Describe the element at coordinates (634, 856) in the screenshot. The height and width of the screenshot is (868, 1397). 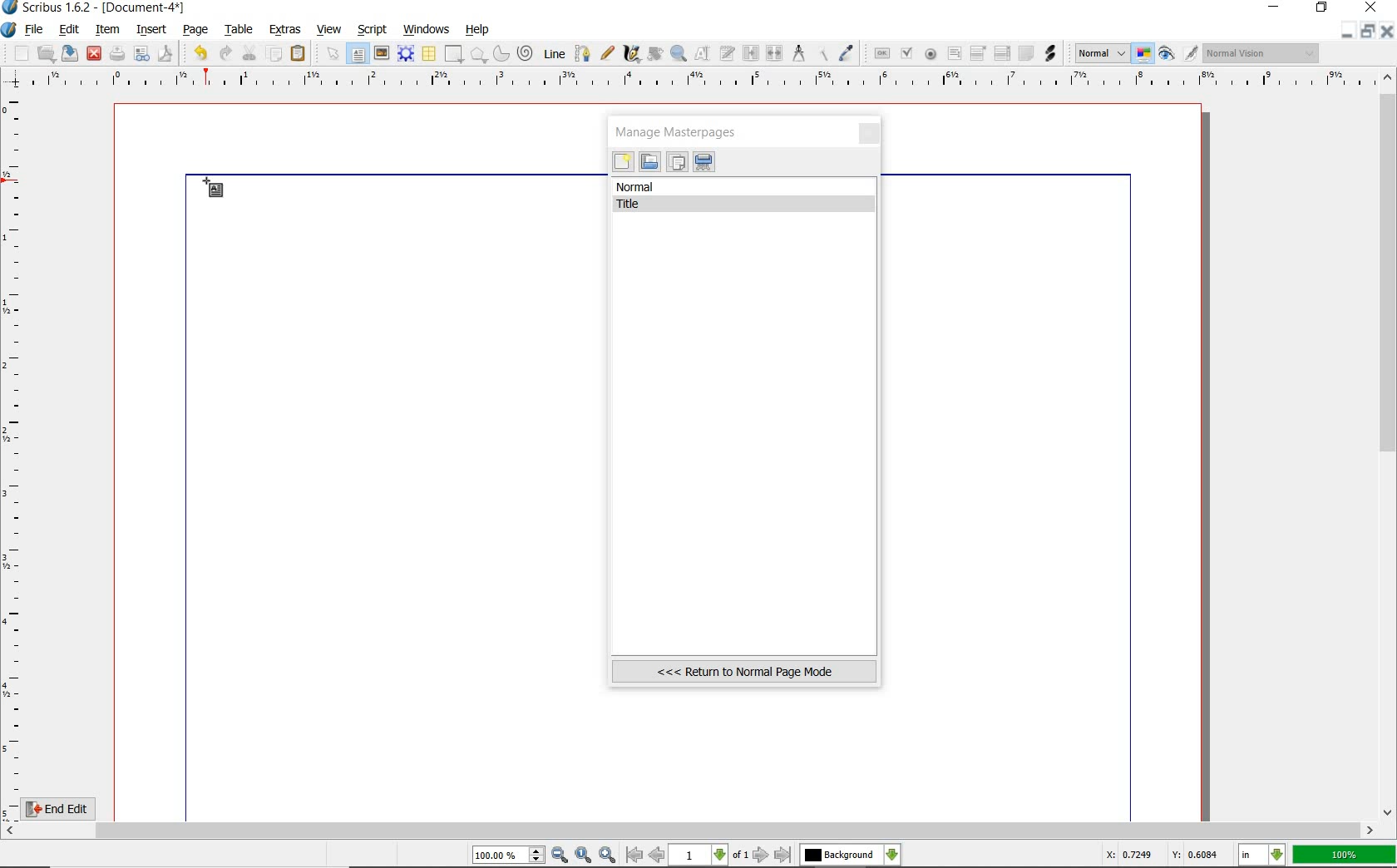
I see `go to first page` at that location.